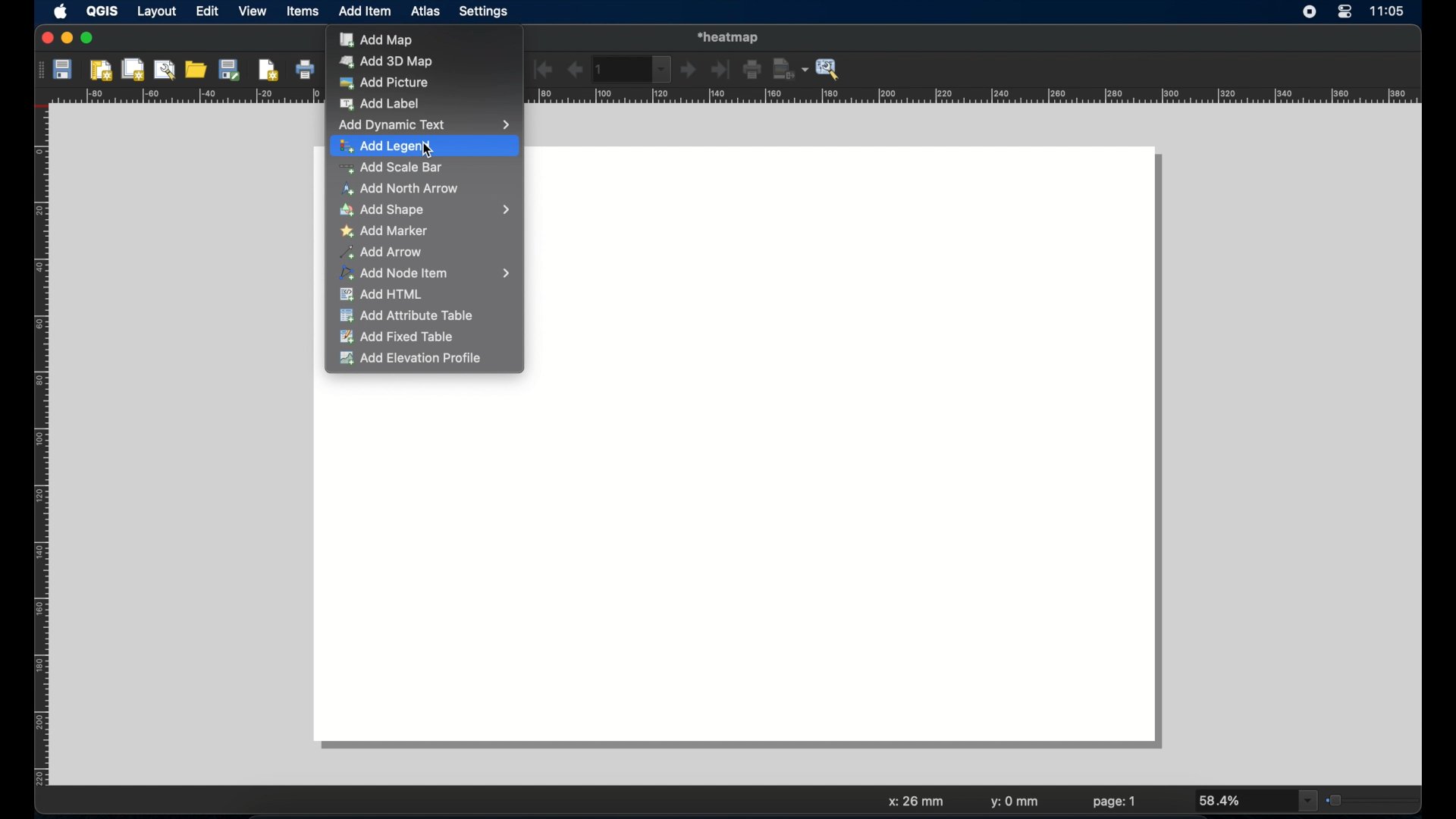 The height and width of the screenshot is (819, 1456). What do you see at coordinates (207, 12) in the screenshot?
I see `edit` at bounding box center [207, 12].